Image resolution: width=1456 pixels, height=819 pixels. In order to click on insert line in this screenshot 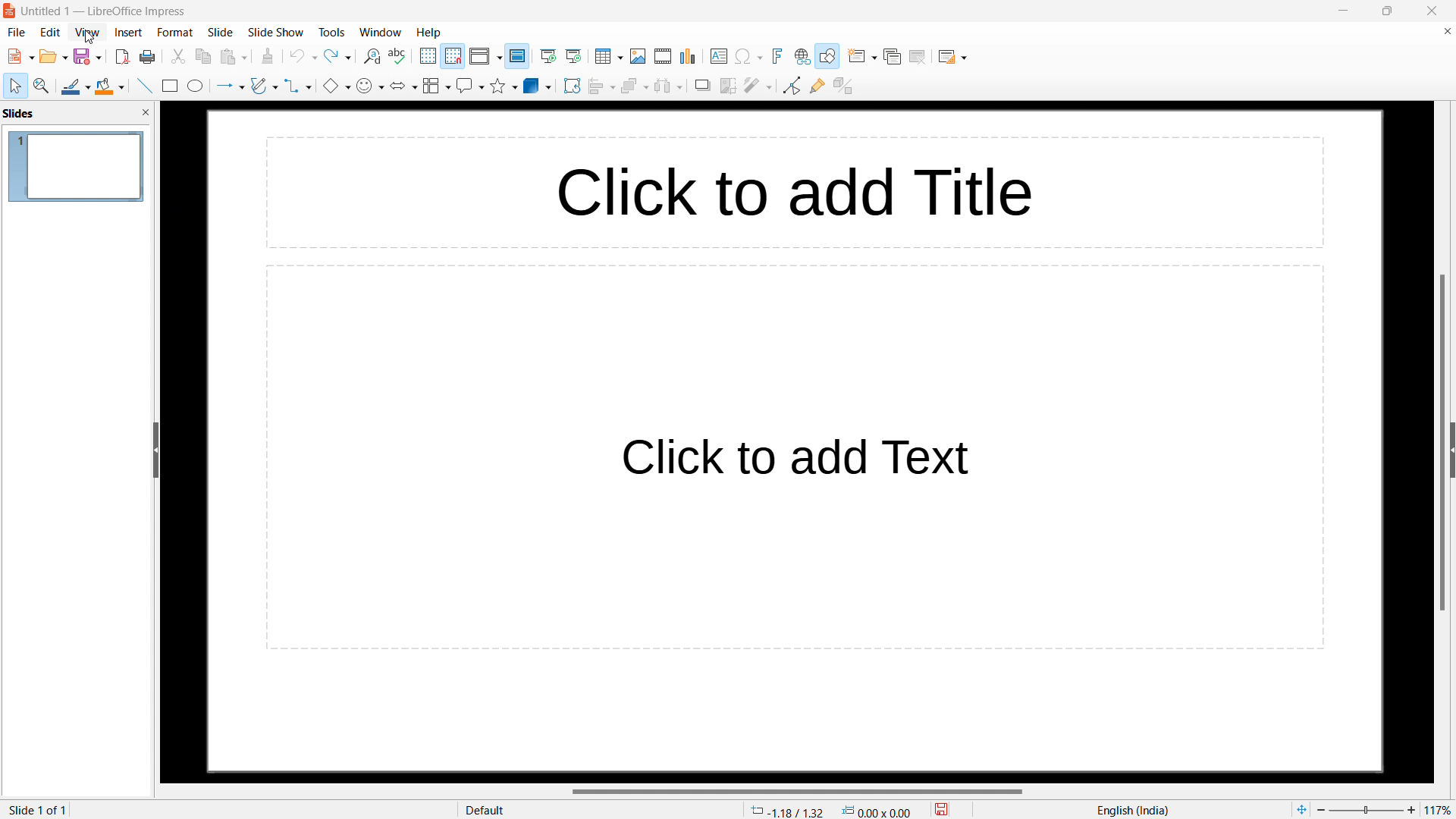, I will do `click(144, 85)`.